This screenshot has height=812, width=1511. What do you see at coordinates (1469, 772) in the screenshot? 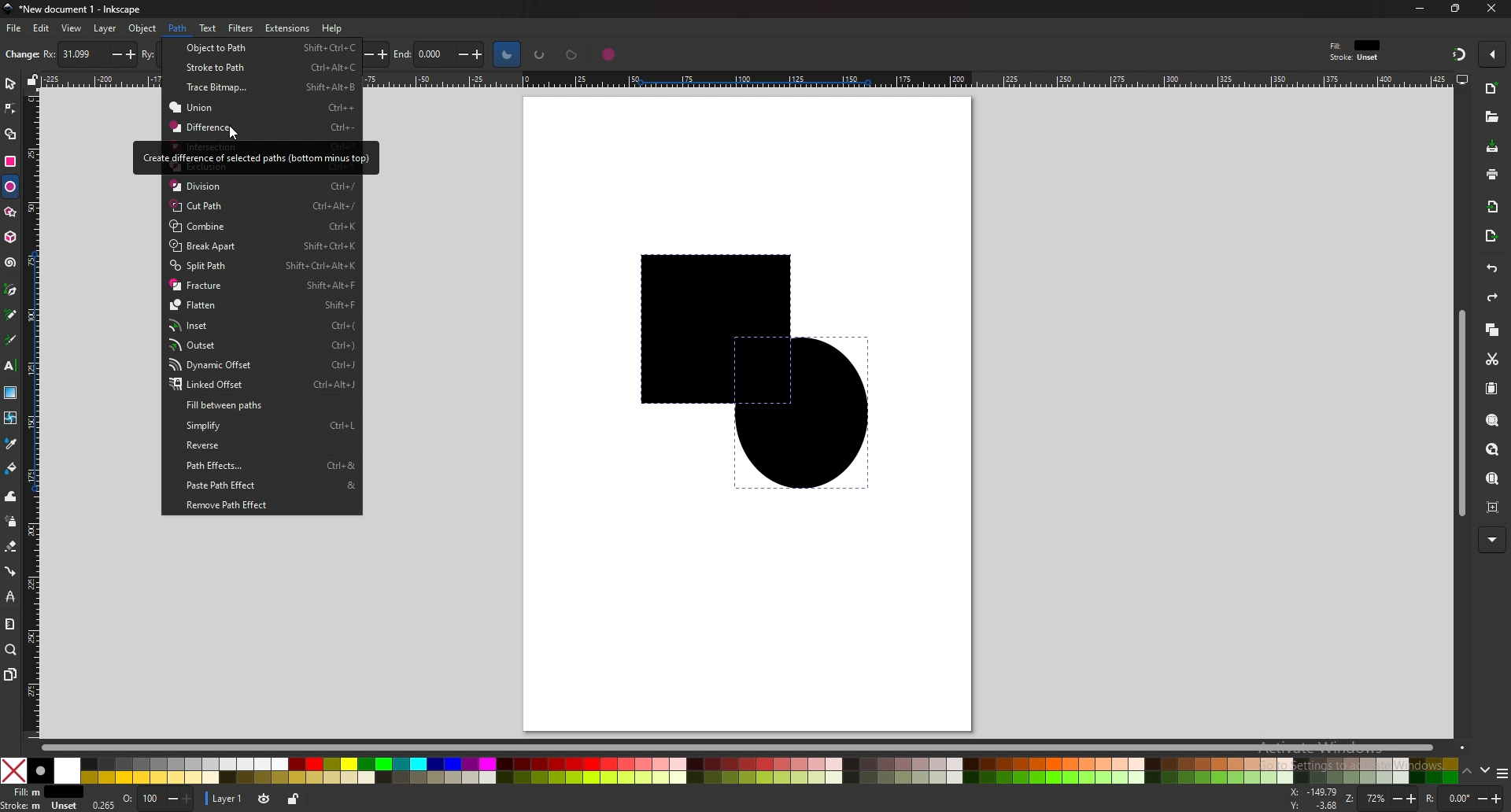
I see `up` at bounding box center [1469, 772].